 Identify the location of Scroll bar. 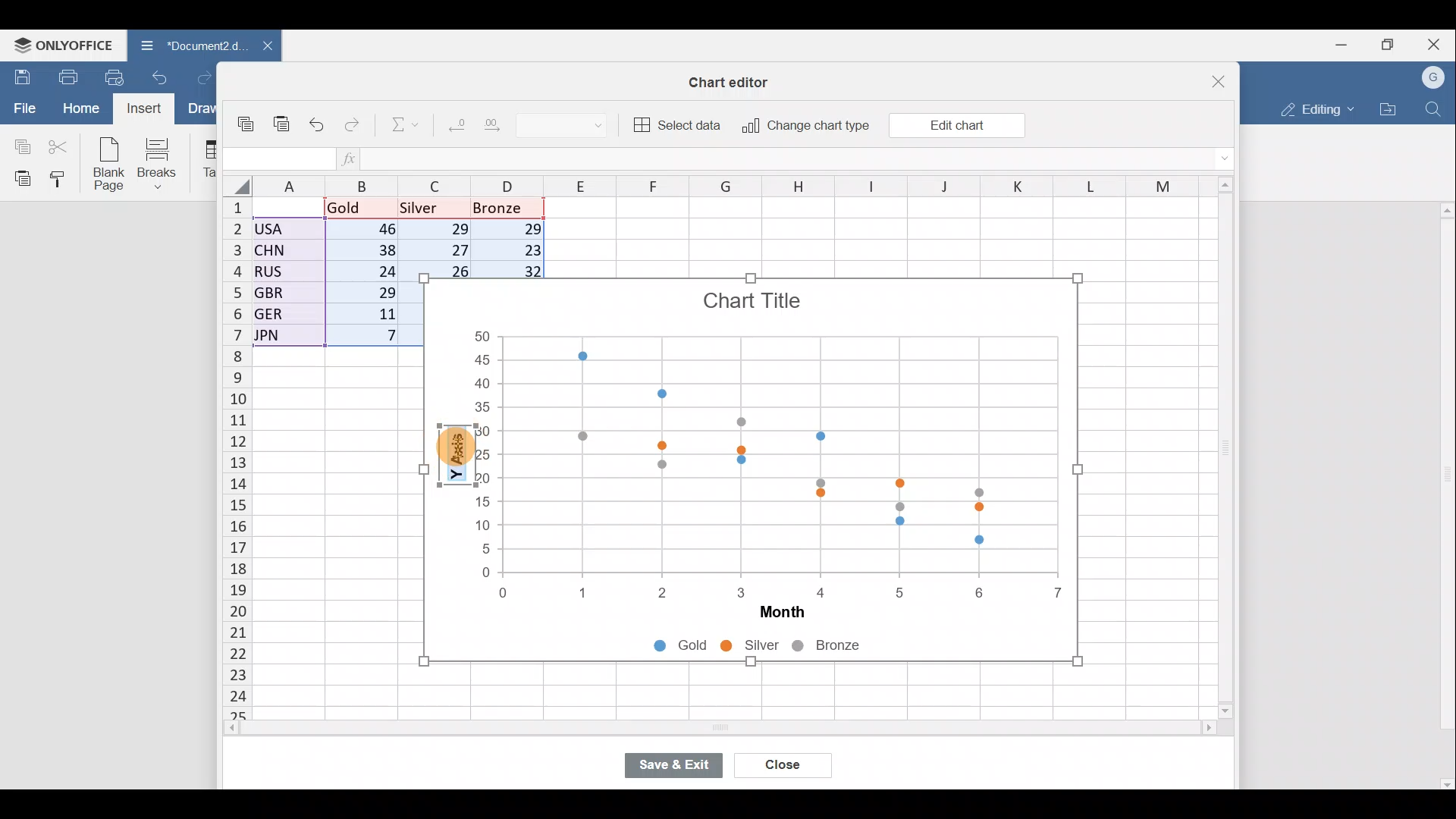
(688, 730).